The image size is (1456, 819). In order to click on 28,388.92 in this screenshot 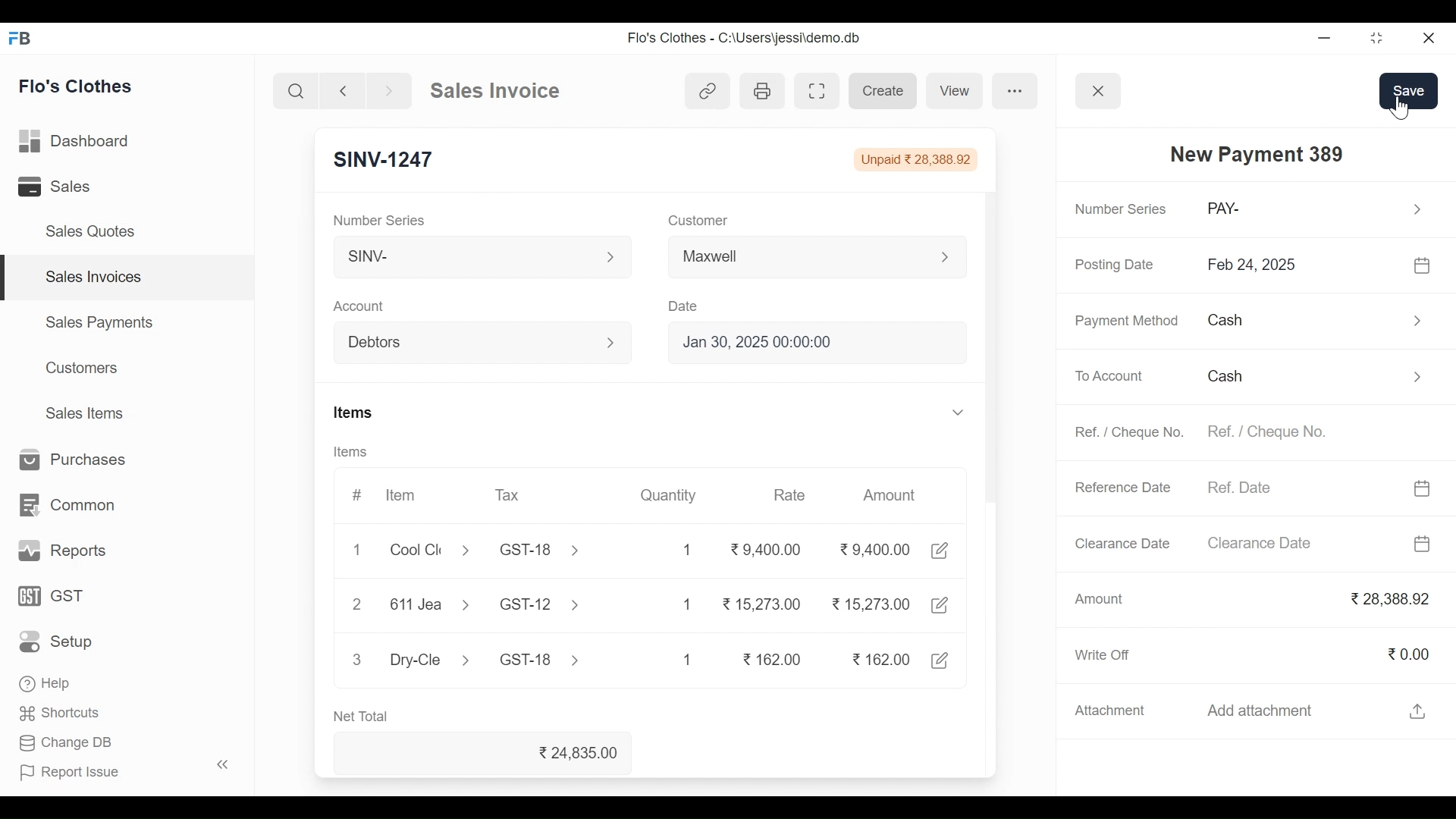, I will do `click(1392, 596)`.